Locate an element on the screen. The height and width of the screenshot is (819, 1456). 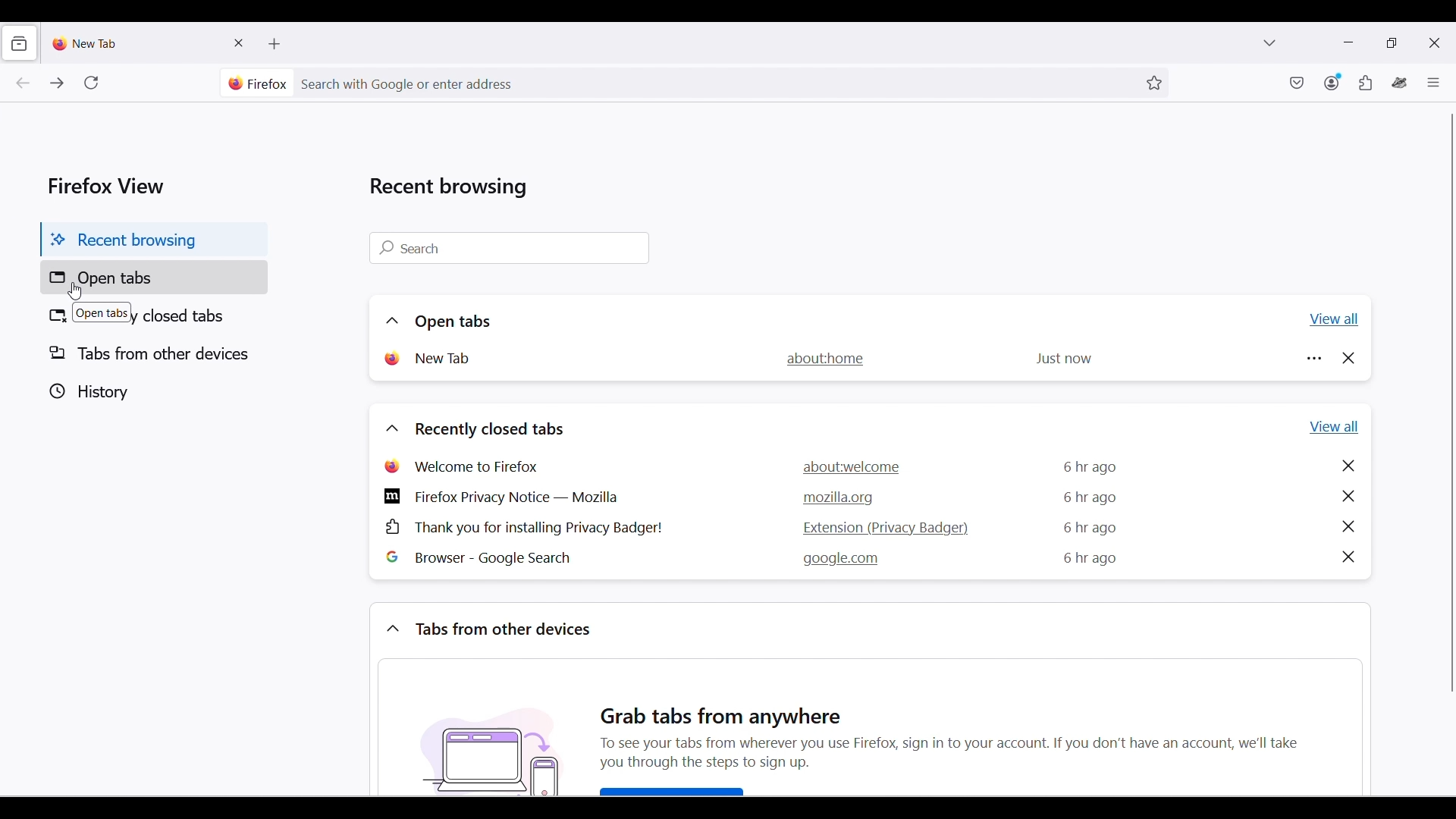
6 hr ago is located at coordinates (1089, 526).